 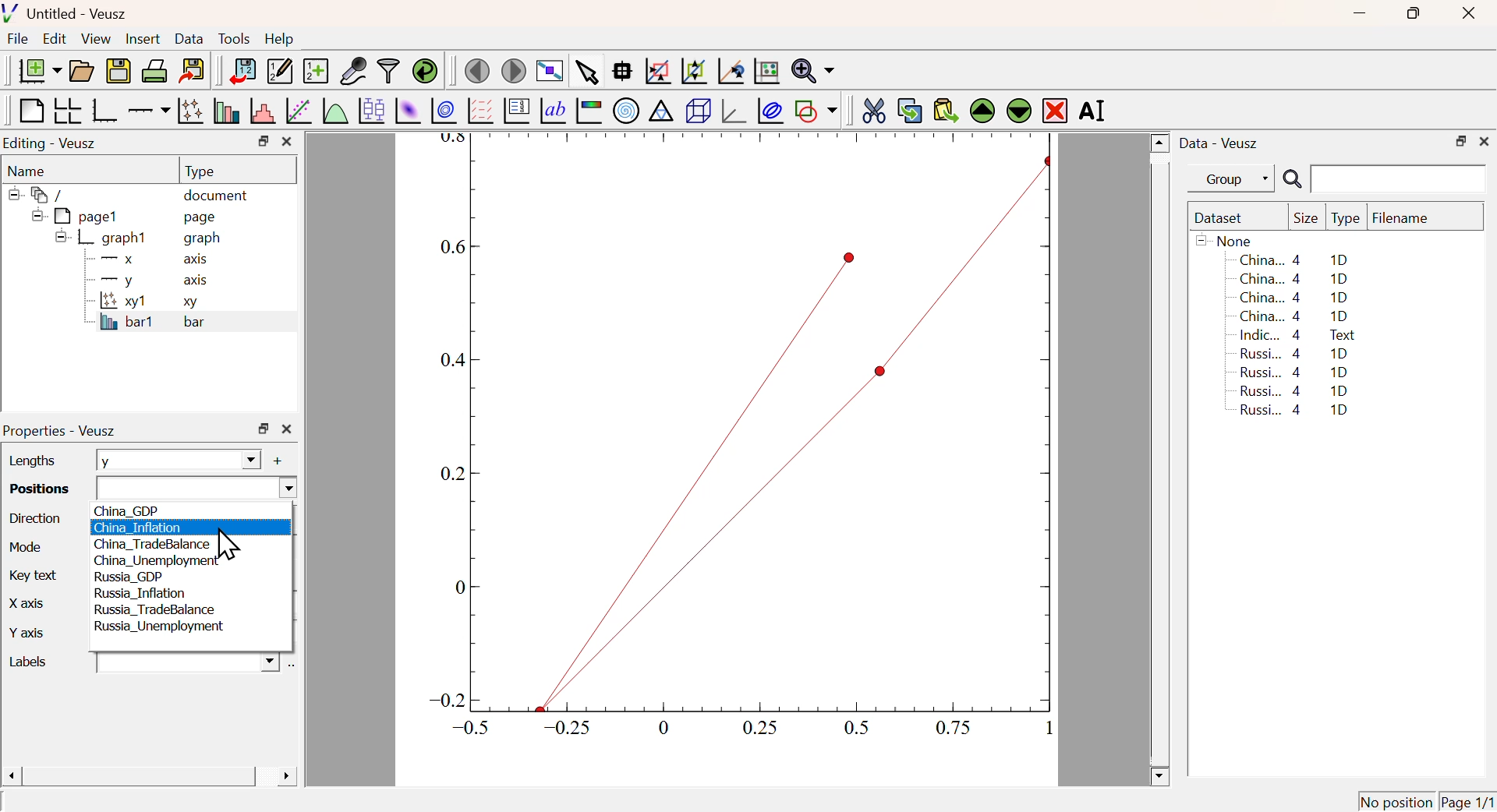 I want to click on Page 1/1, so click(x=1466, y=801).